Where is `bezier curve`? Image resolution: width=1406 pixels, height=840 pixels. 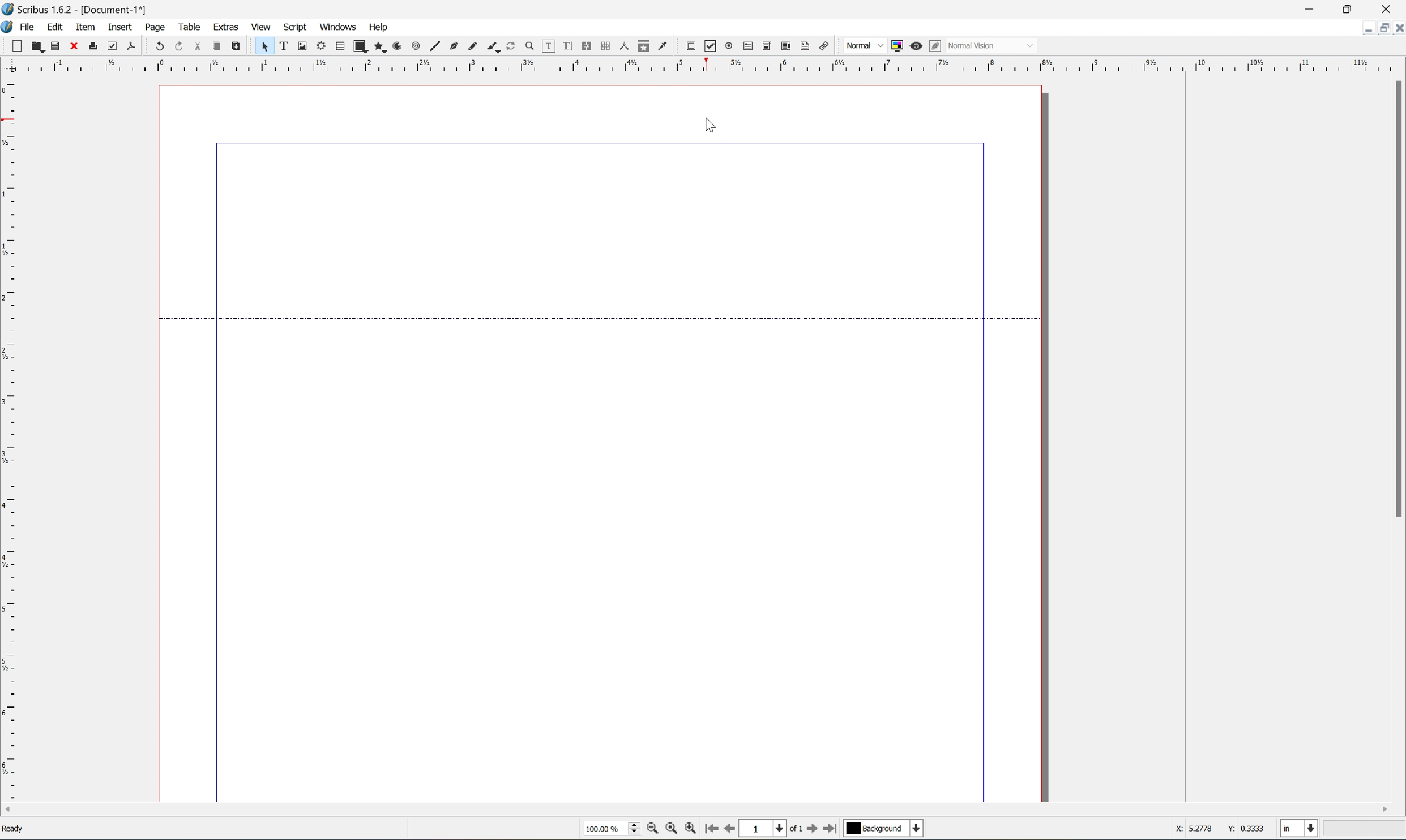
bezier curve is located at coordinates (455, 48).